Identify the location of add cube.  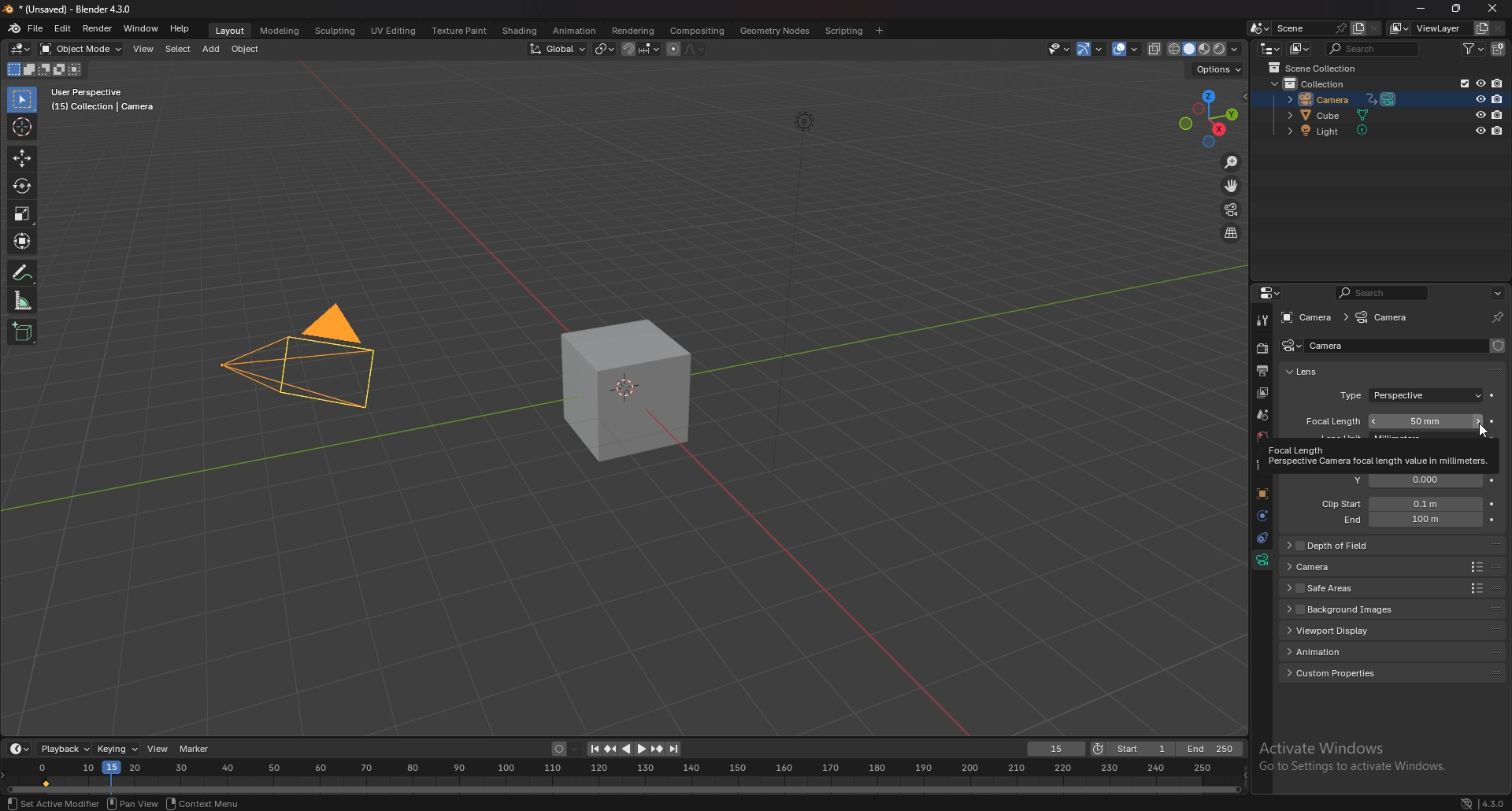
(20, 332).